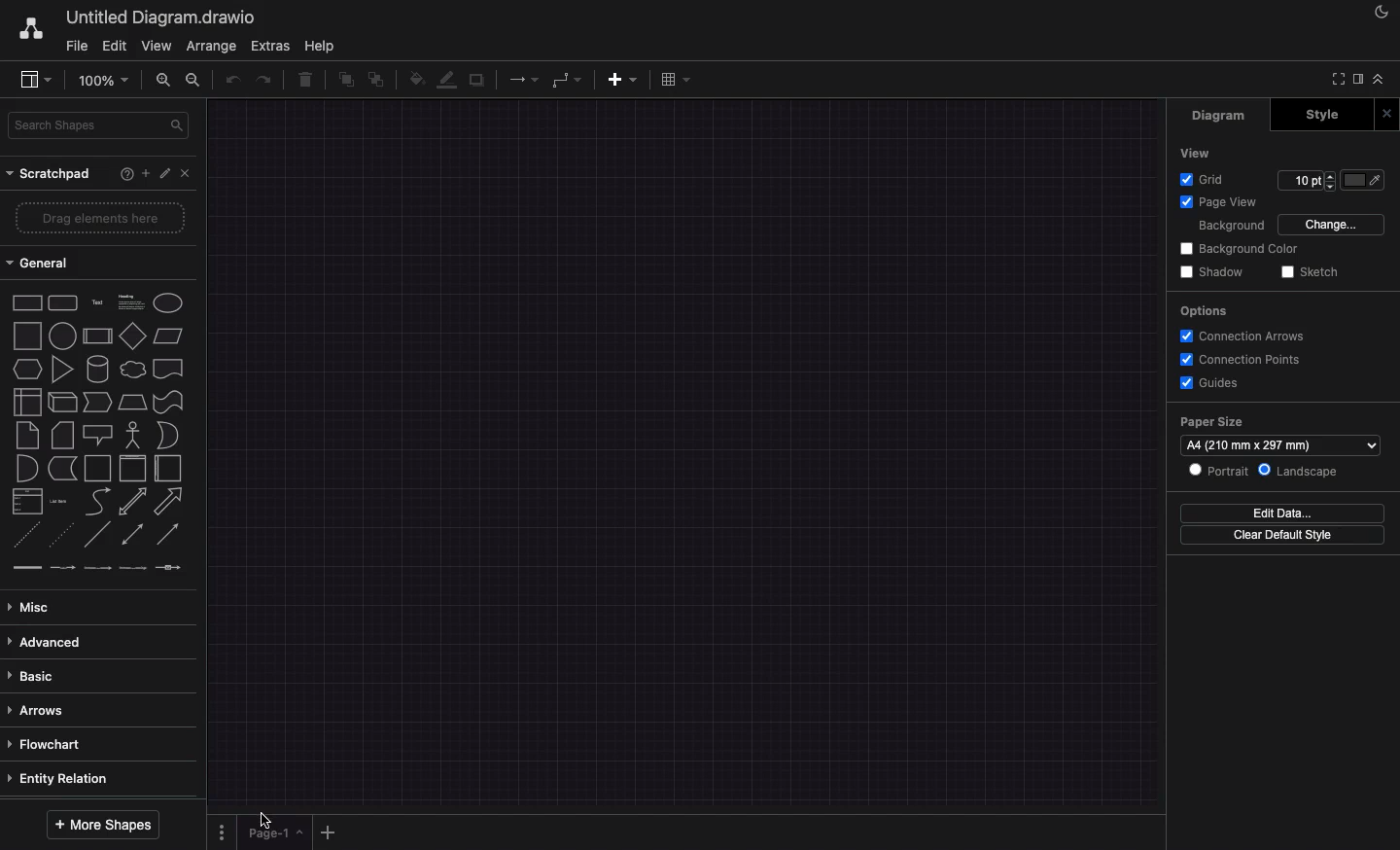  What do you see at coordinates (1242, 248) in the screenshot?
I see `background color` at bounding box center [1242, 248].